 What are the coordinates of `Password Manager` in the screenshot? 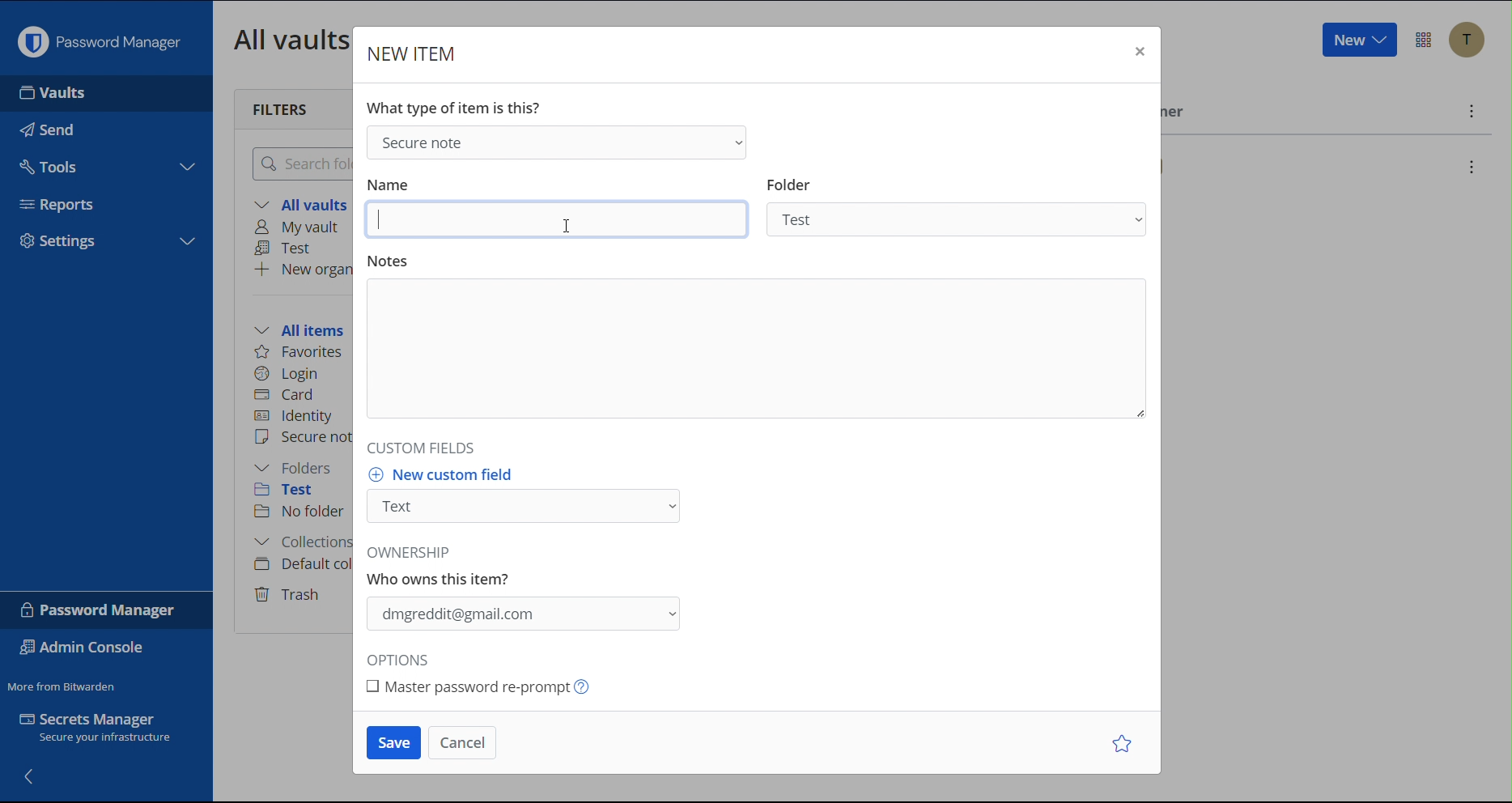 It's located at (100, 610).